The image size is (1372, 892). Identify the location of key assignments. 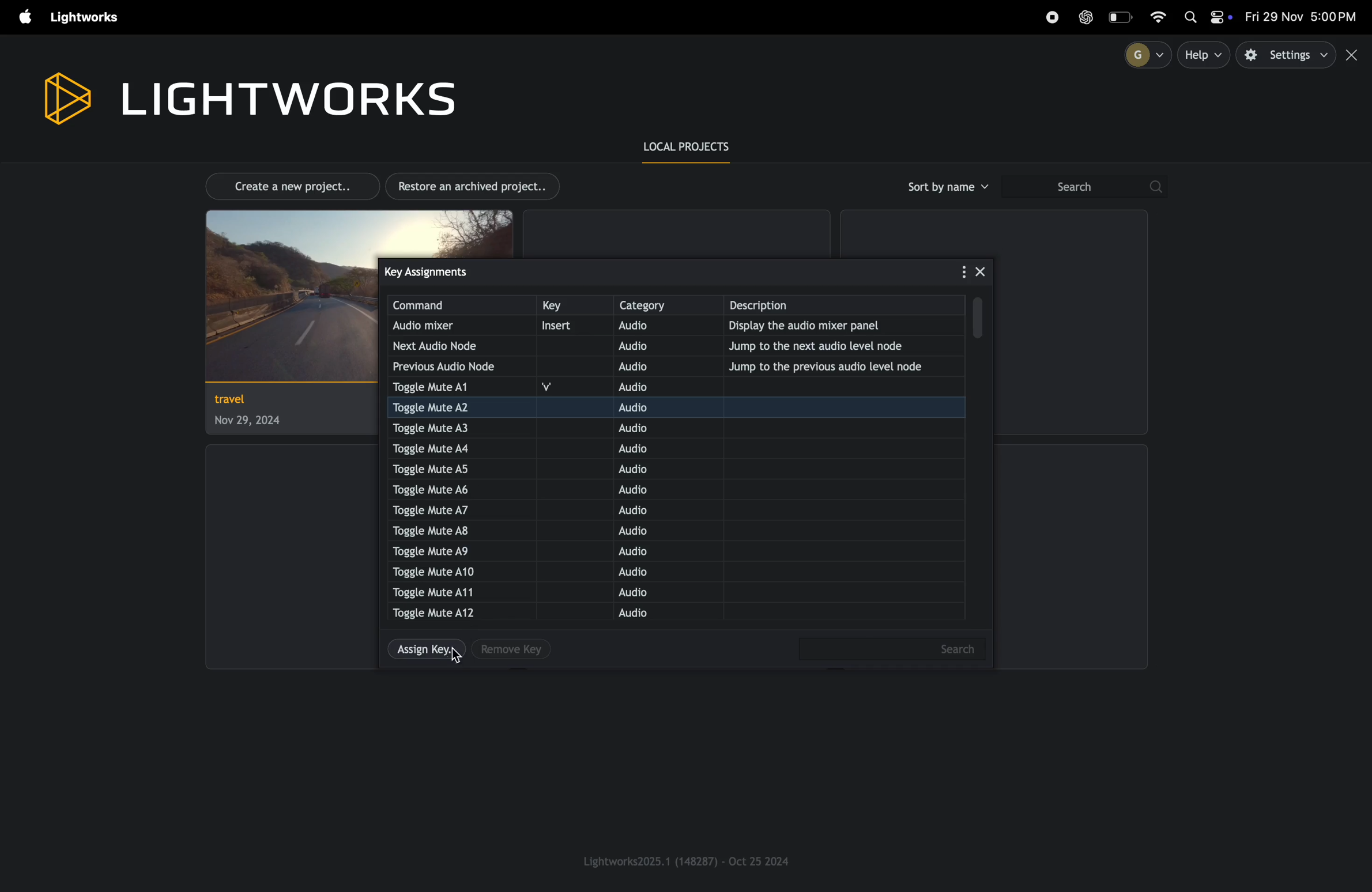
(450, 271).